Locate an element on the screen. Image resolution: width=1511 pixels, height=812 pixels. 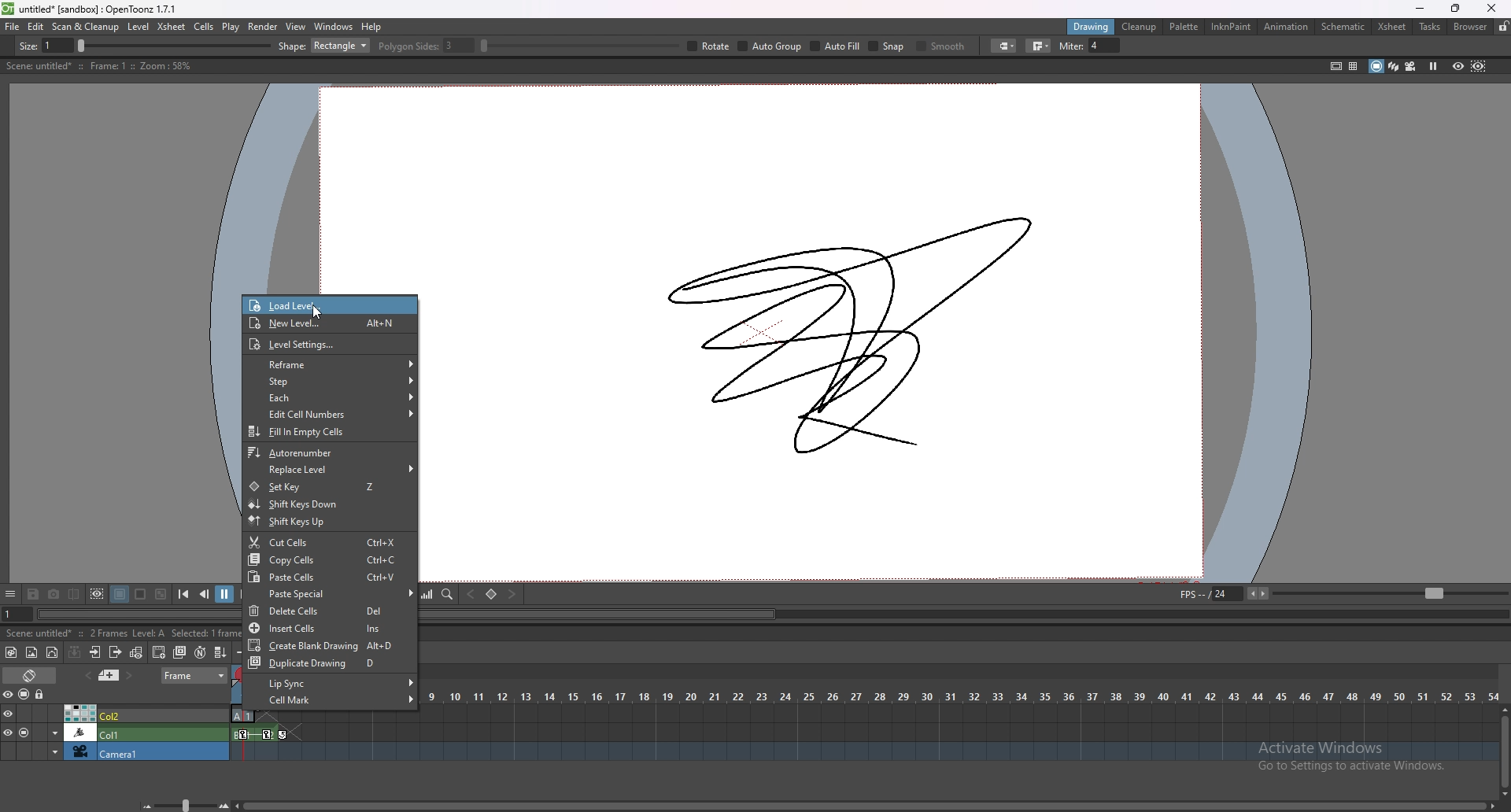
cut cells is located at coordinates (329, 543).